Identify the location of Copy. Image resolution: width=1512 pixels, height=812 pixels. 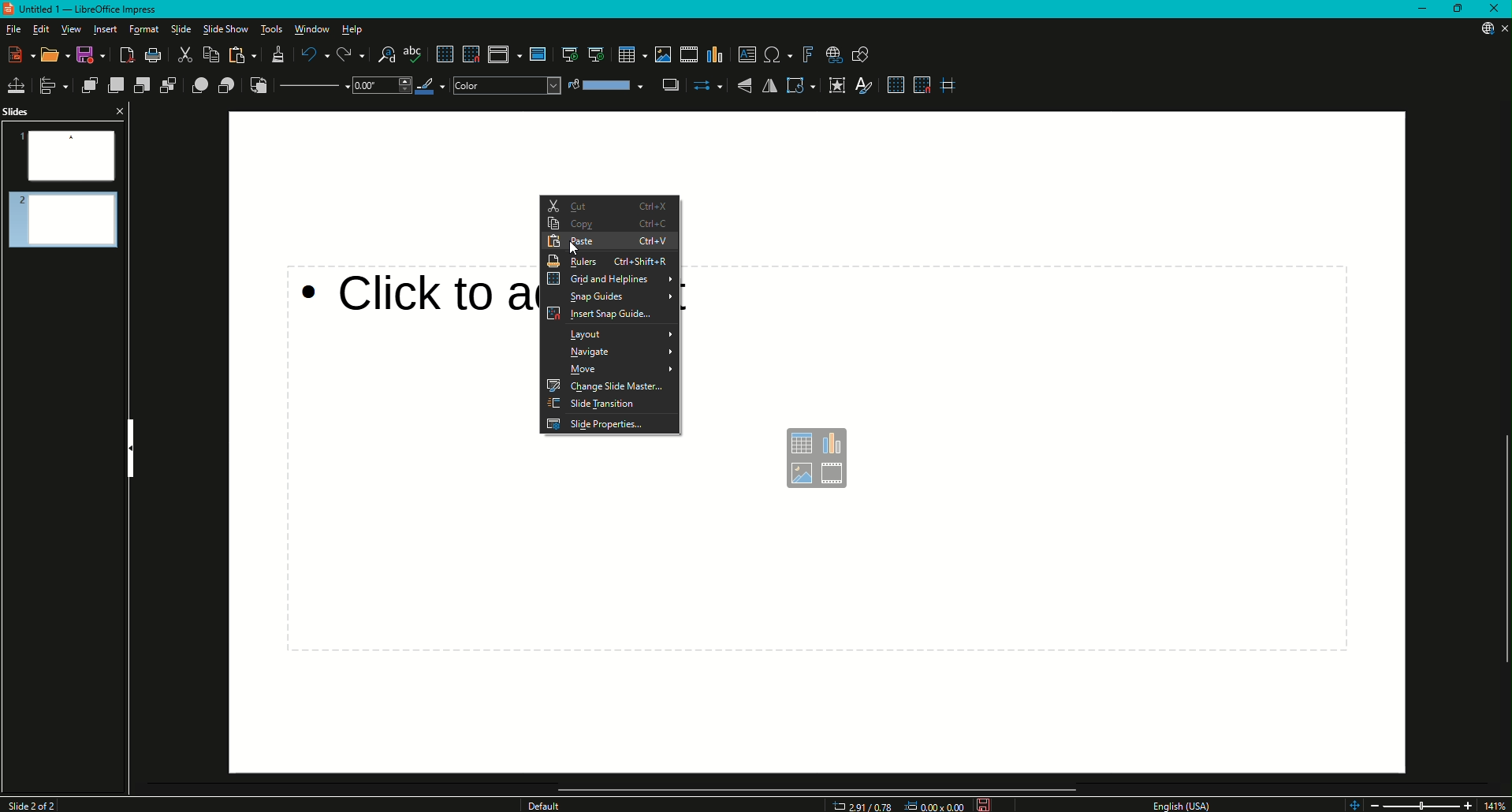
(613, 223).